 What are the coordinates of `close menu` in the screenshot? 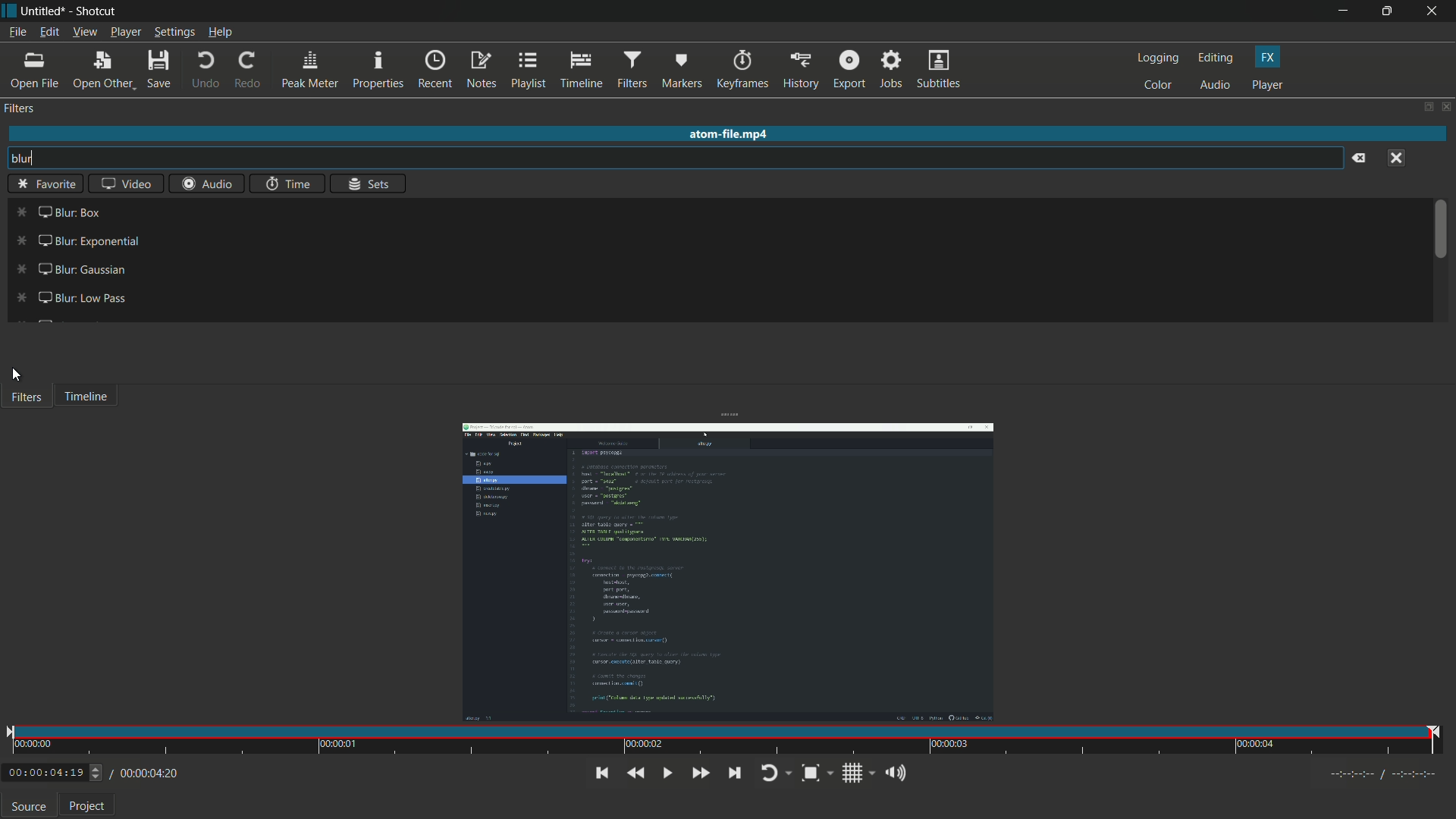 It's located at (1398, 158).